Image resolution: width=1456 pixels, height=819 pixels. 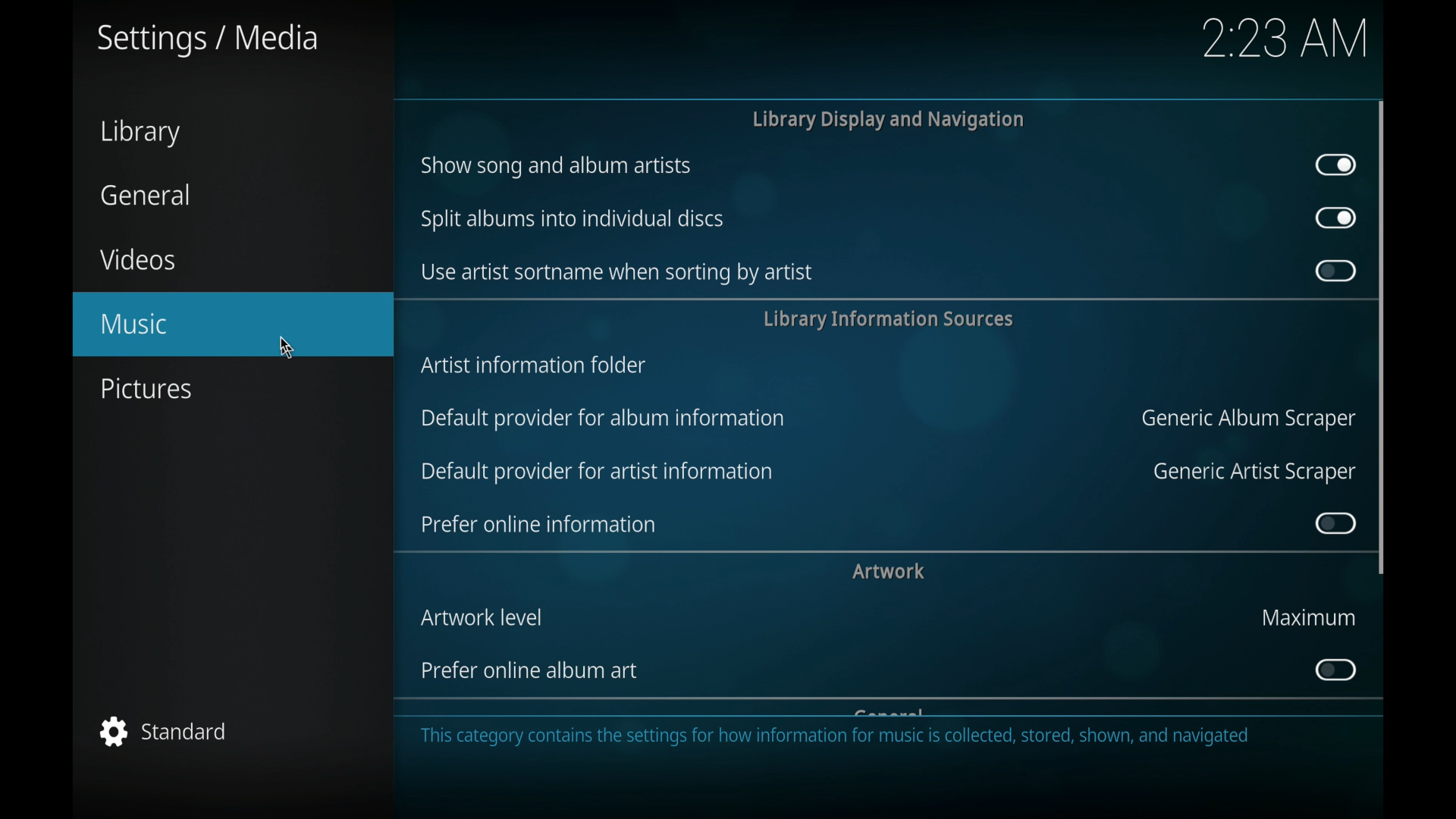 I want to click on scroll box, so click(x=1382, y=336).